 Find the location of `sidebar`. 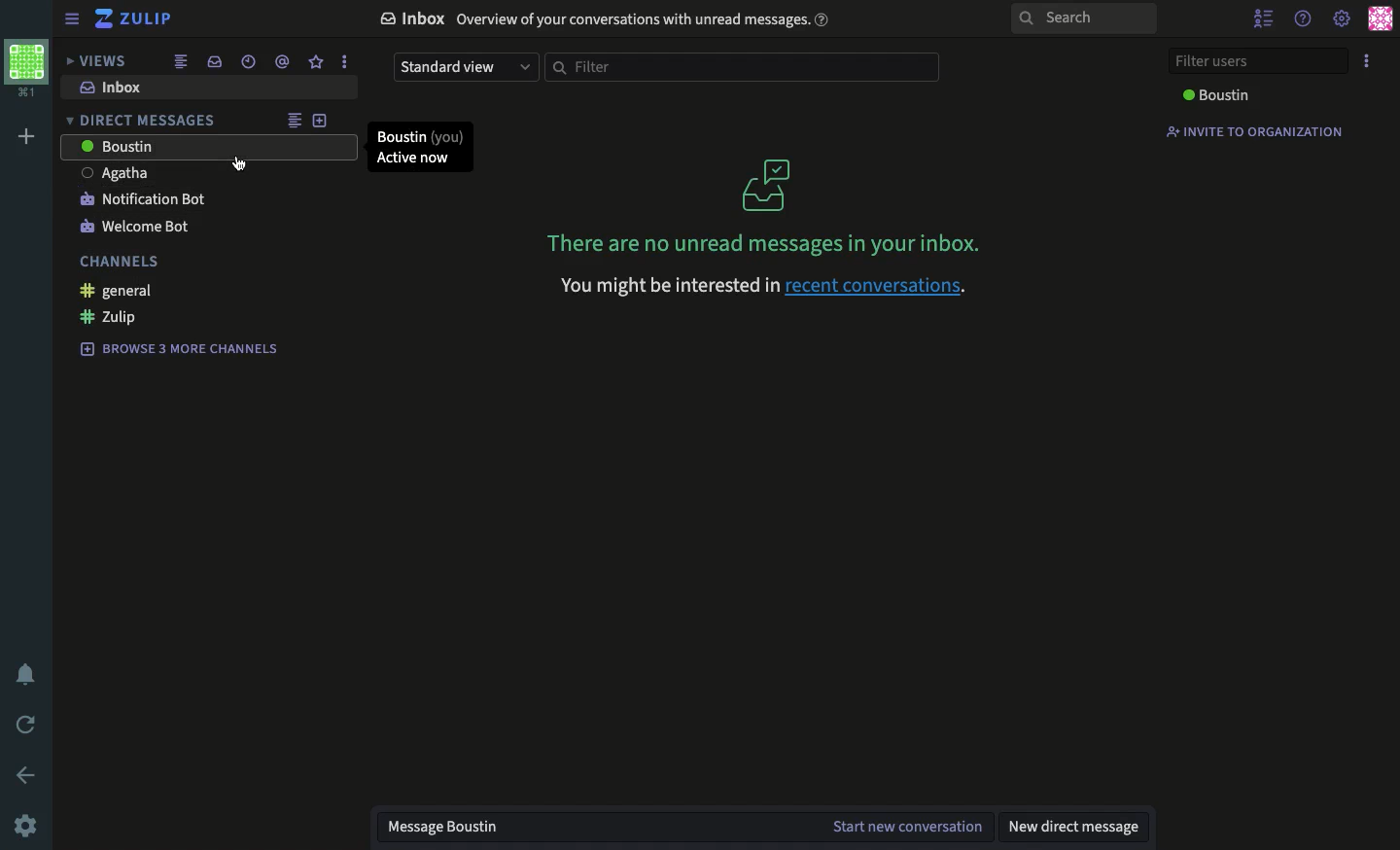

sidebar is located at coordinates (72, 20).